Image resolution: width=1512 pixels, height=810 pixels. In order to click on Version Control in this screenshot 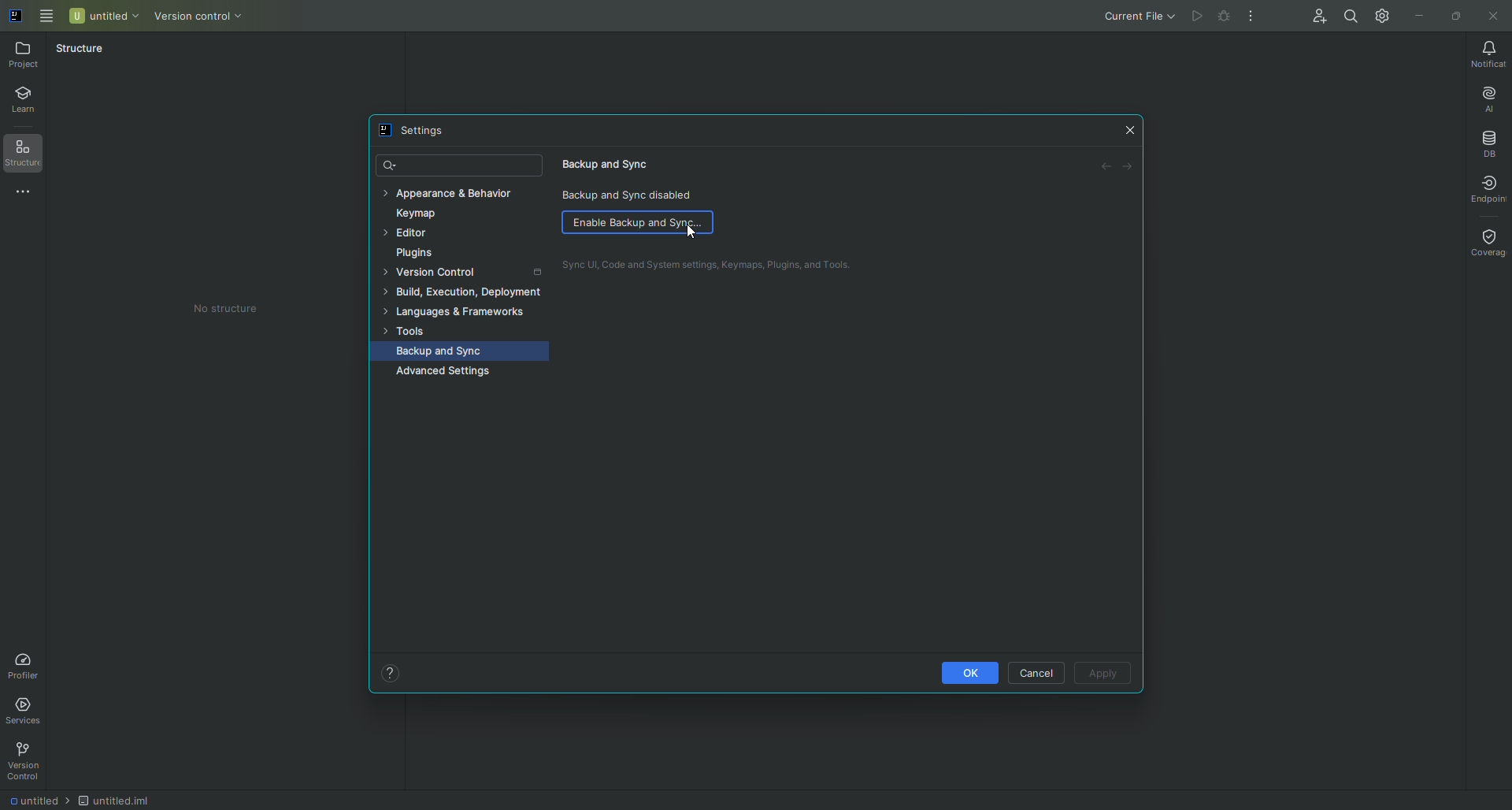, I will do `click(28, 761)`.